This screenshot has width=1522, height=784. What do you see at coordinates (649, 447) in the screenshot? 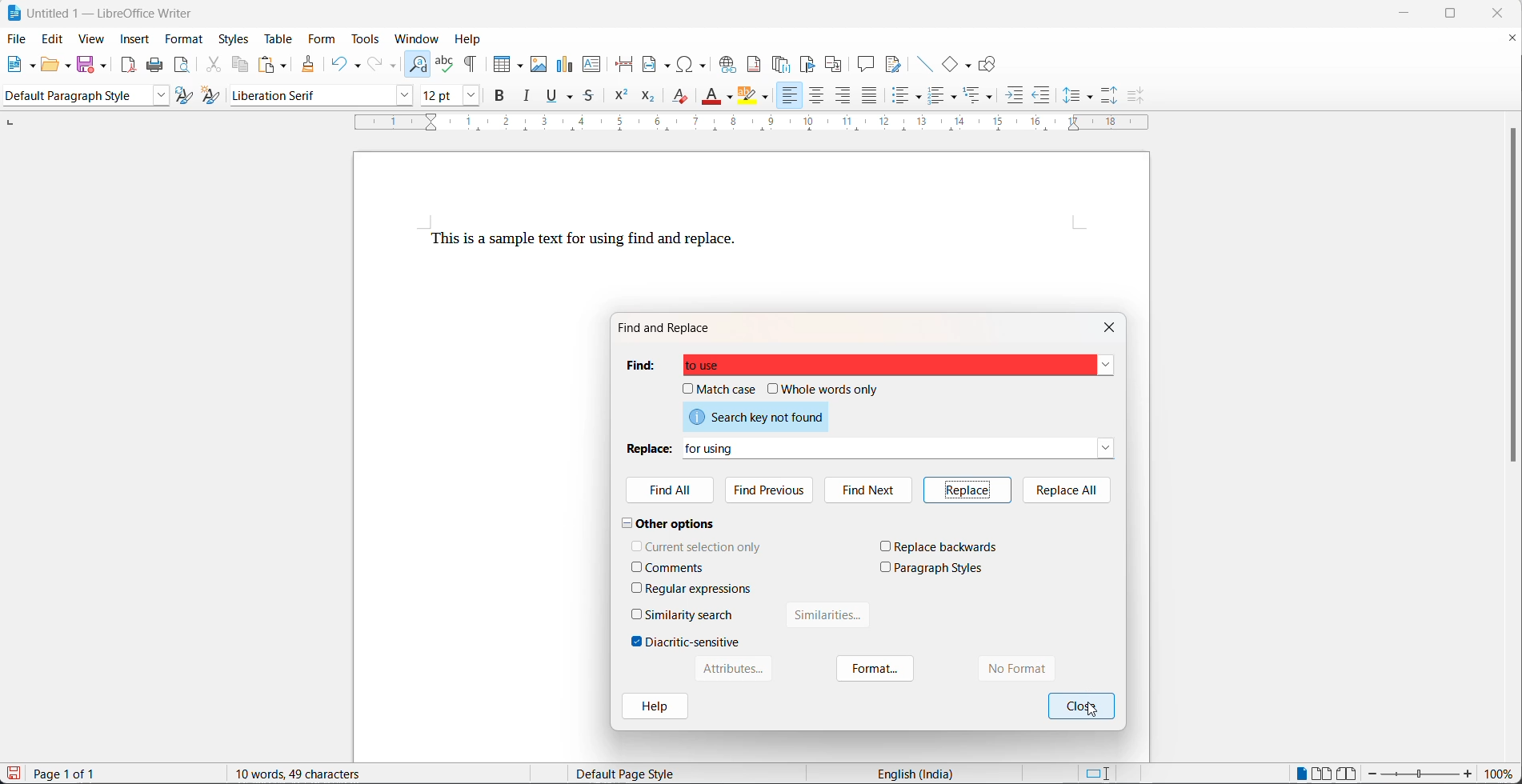
I see `replace heading` at bounding box center [649, 447].